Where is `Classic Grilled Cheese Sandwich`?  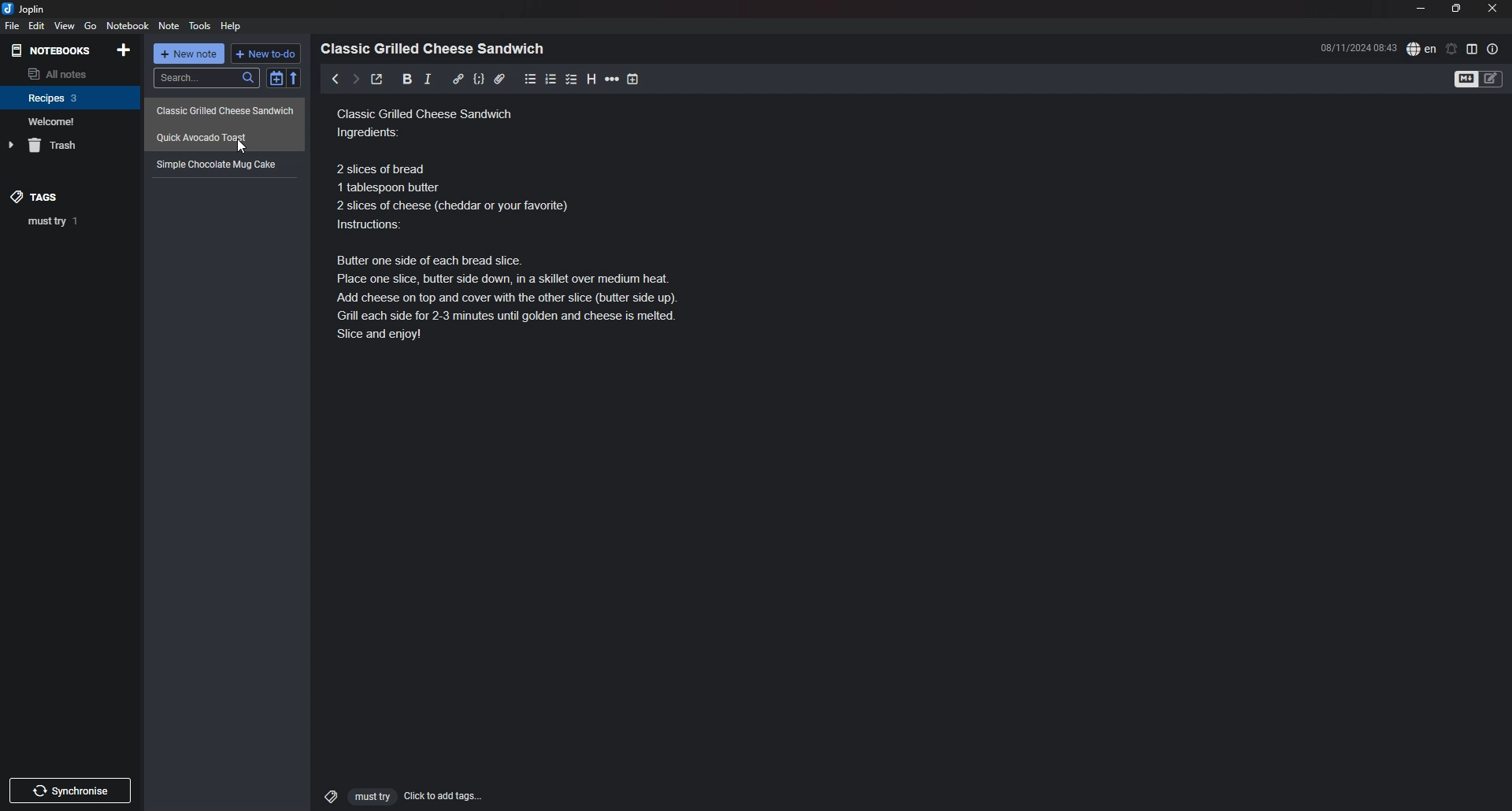
Classic Grilled Cheese Sandwich is located at coordinates (226, 109).